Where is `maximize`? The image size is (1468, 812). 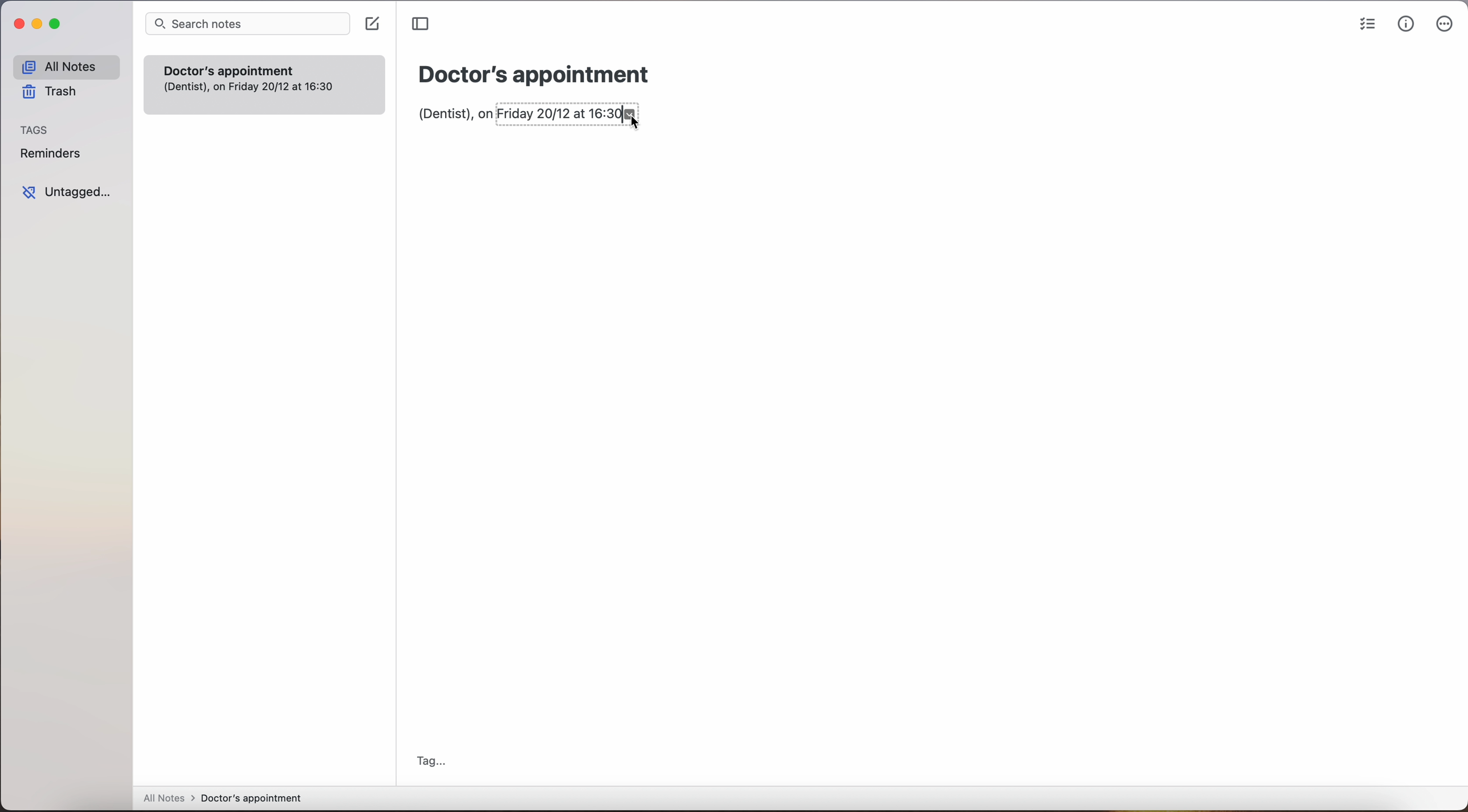 maximize is located at coordinates (58, 25).